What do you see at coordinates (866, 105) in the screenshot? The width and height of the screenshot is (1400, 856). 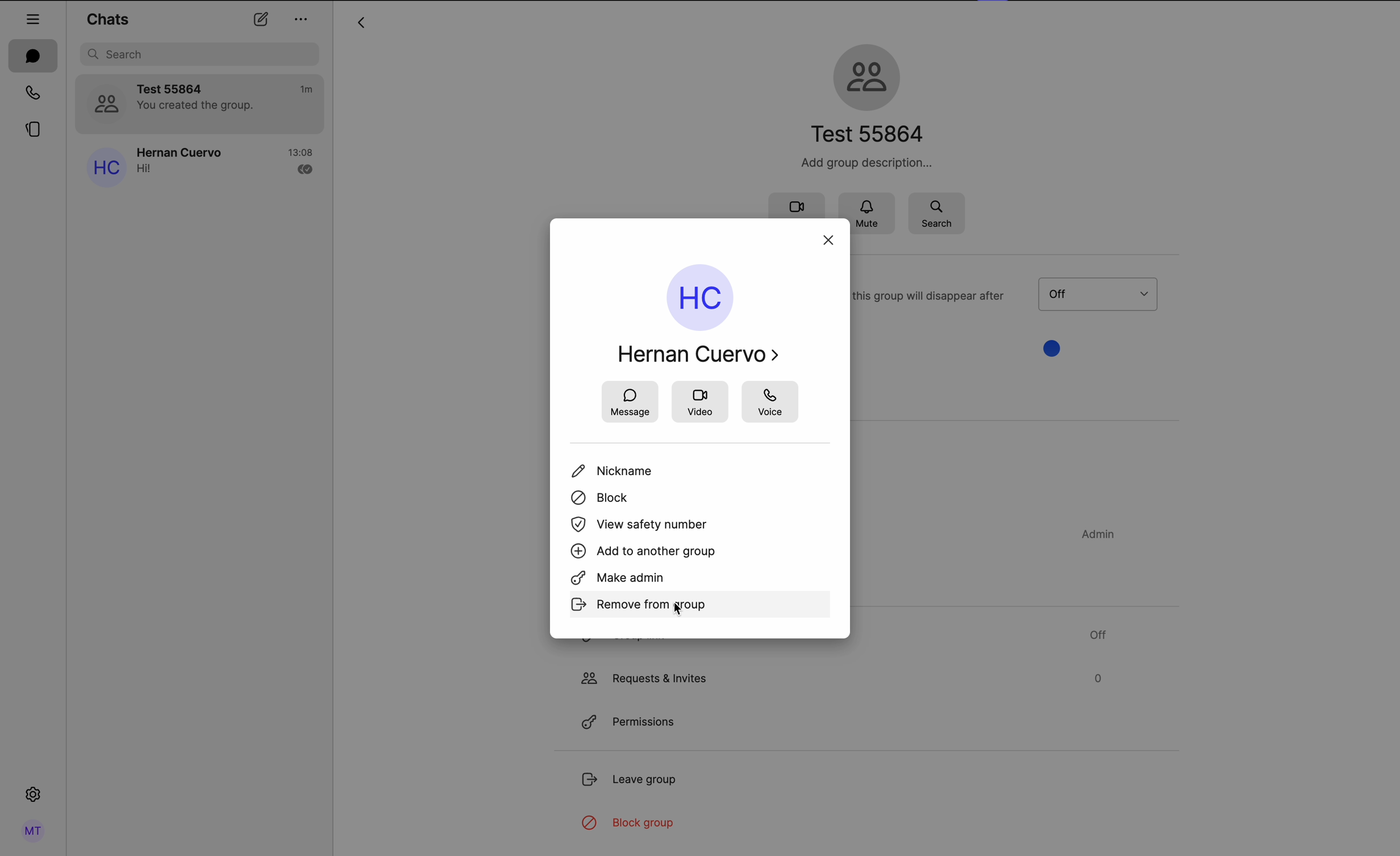 I see `group name` at bounding box center [866, 105].